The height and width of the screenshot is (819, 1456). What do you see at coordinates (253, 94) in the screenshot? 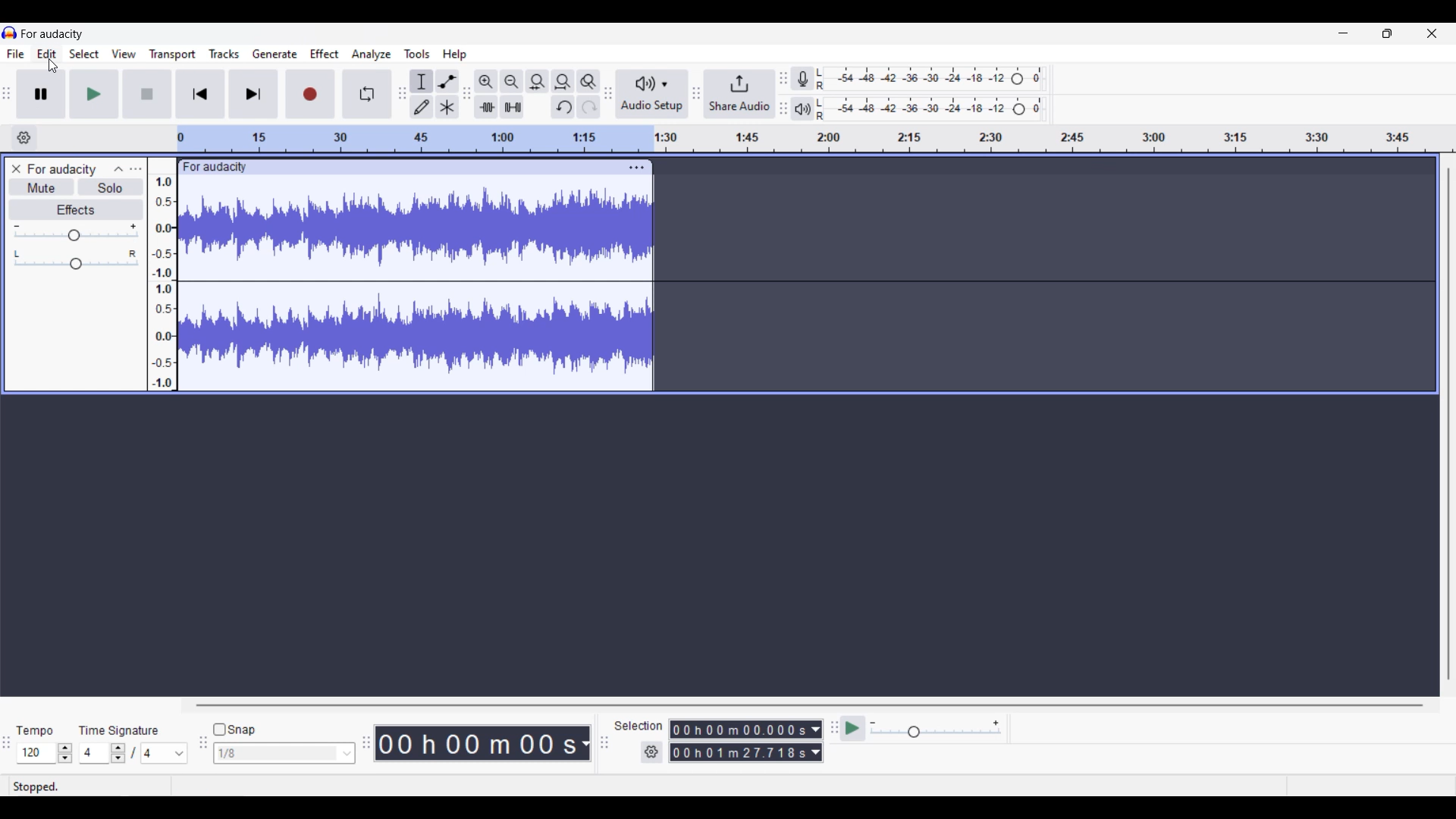
I see `Skip/Select to end` at bounding box center [253, 94].